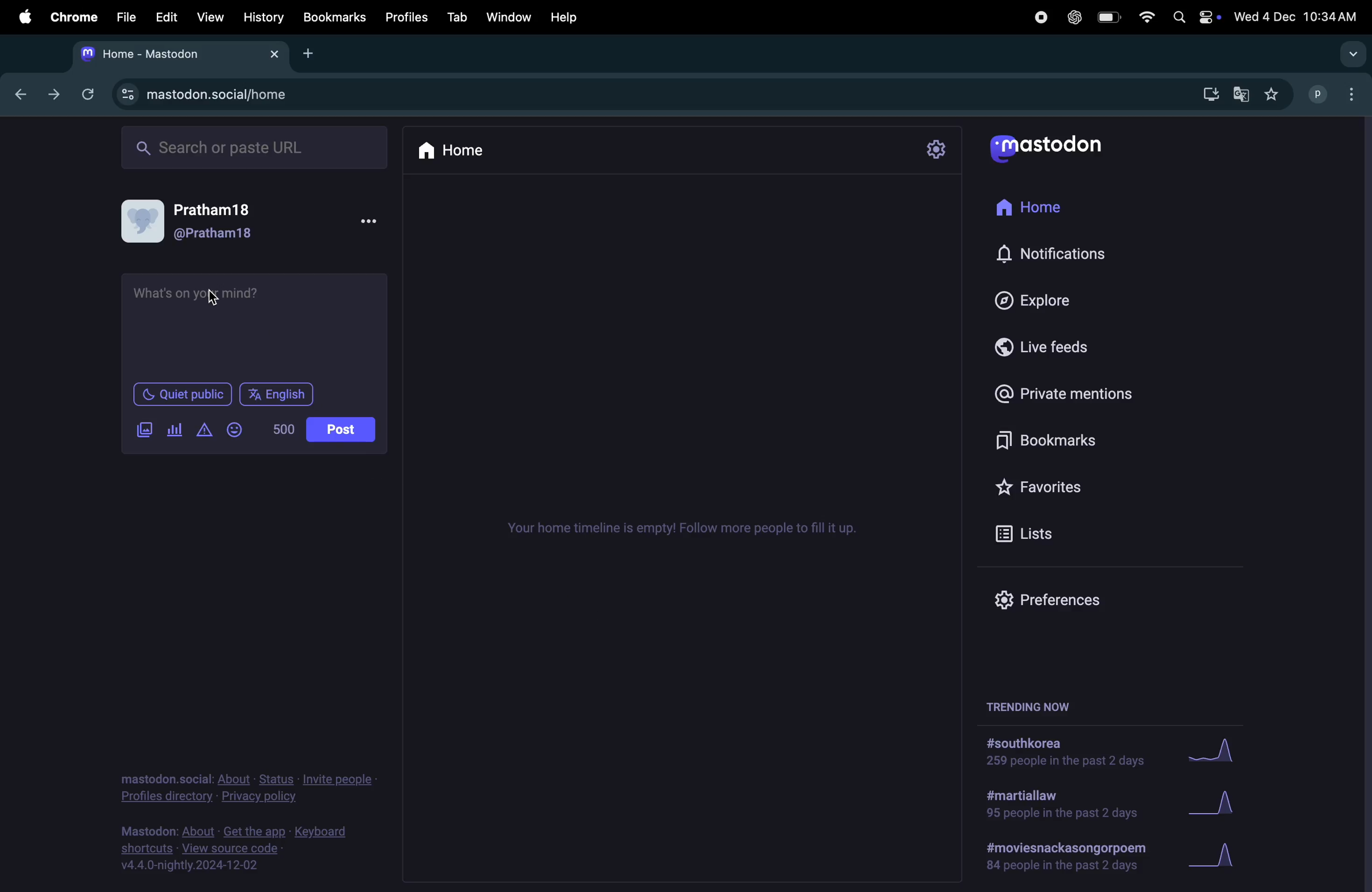 Image resolution: width=1372 pixels, height=892 pixels. What do you see at coordinates (458, 17) in the screenshot?
I see `tab` at bounding box center [458, 17].